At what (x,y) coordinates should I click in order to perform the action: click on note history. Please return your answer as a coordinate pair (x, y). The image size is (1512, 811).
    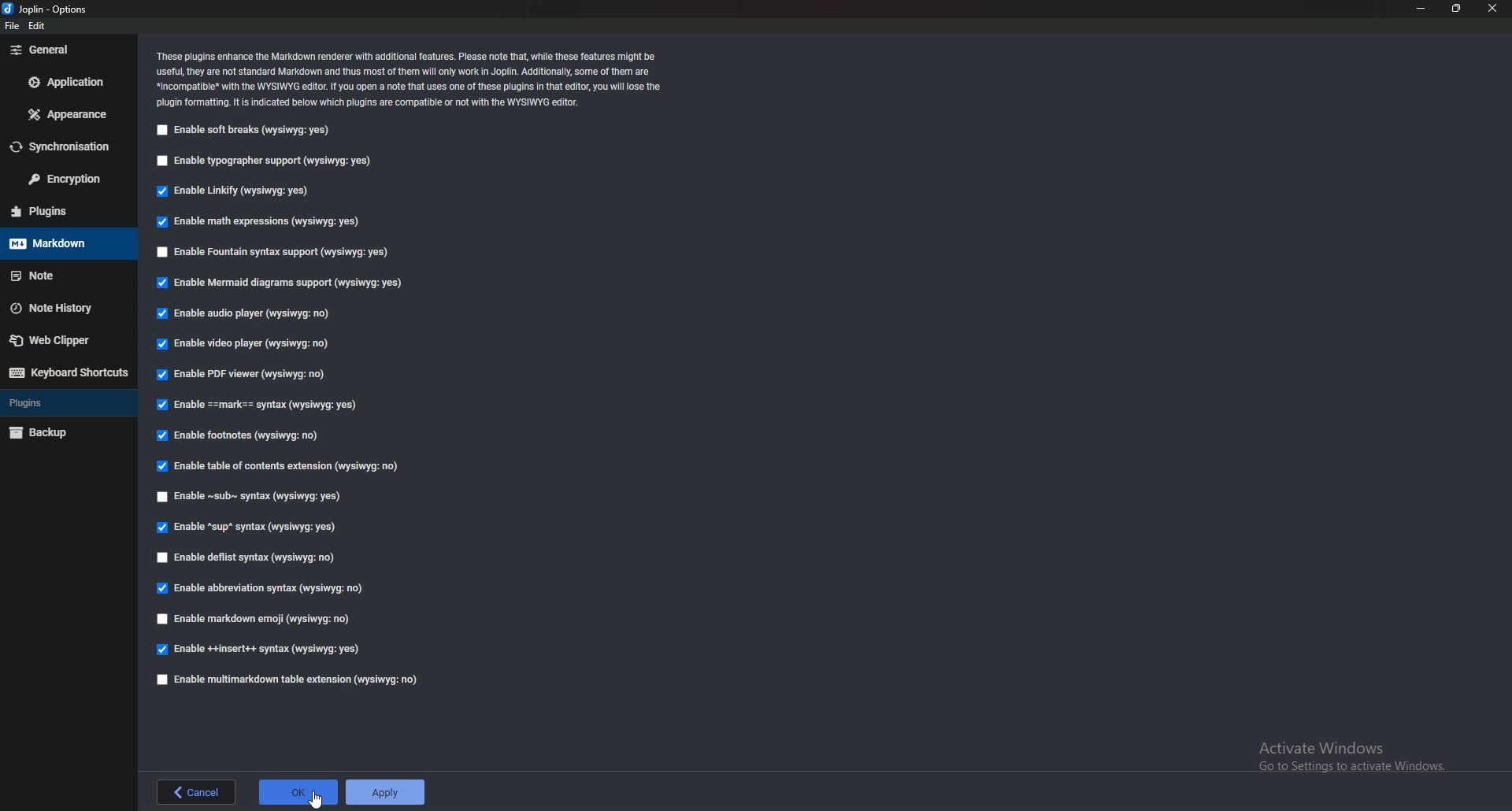
    Looking at the image, I should click on (66, 308).